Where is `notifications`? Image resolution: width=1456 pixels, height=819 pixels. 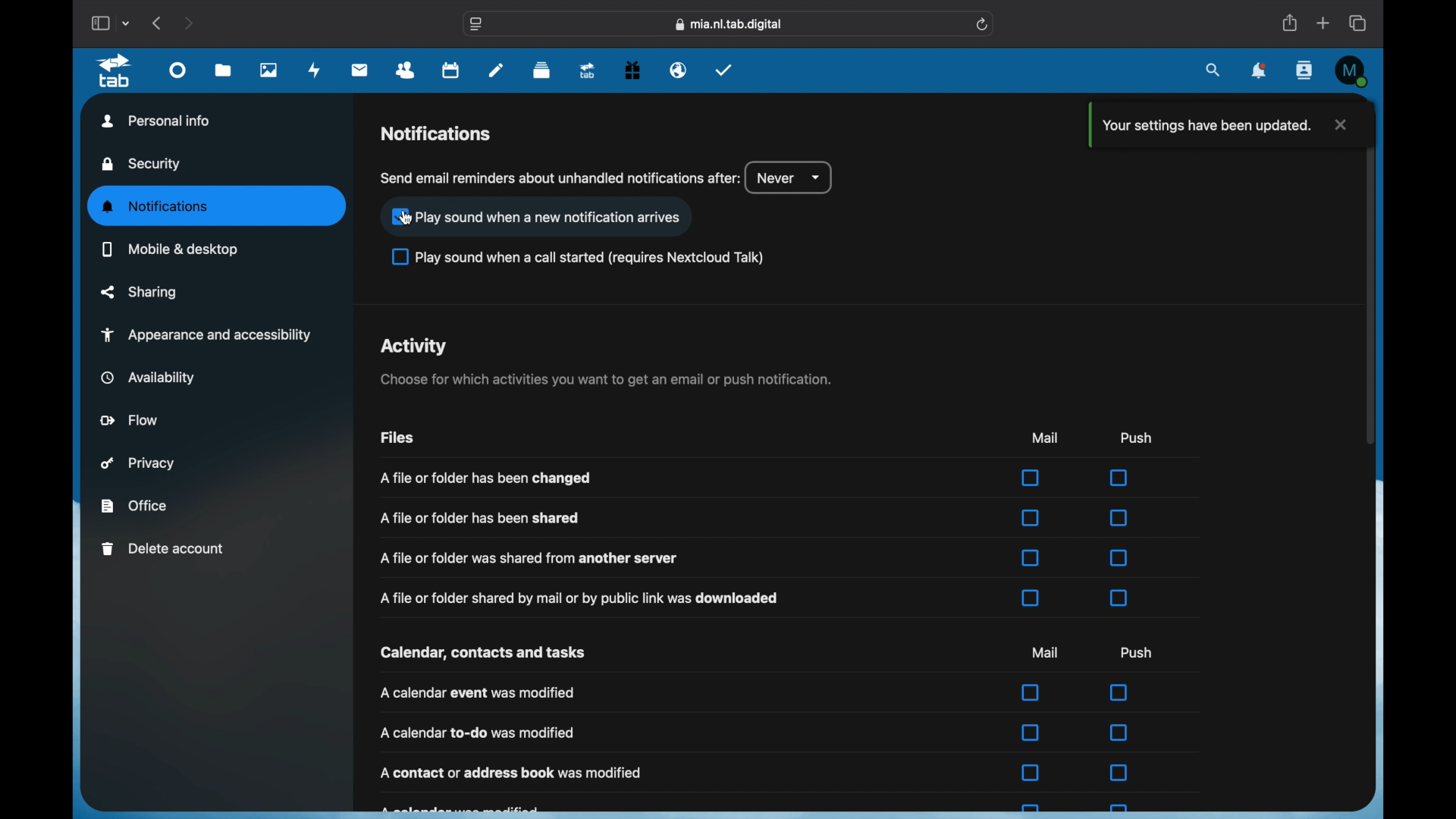 notifications is located at coordinates (437, 134).